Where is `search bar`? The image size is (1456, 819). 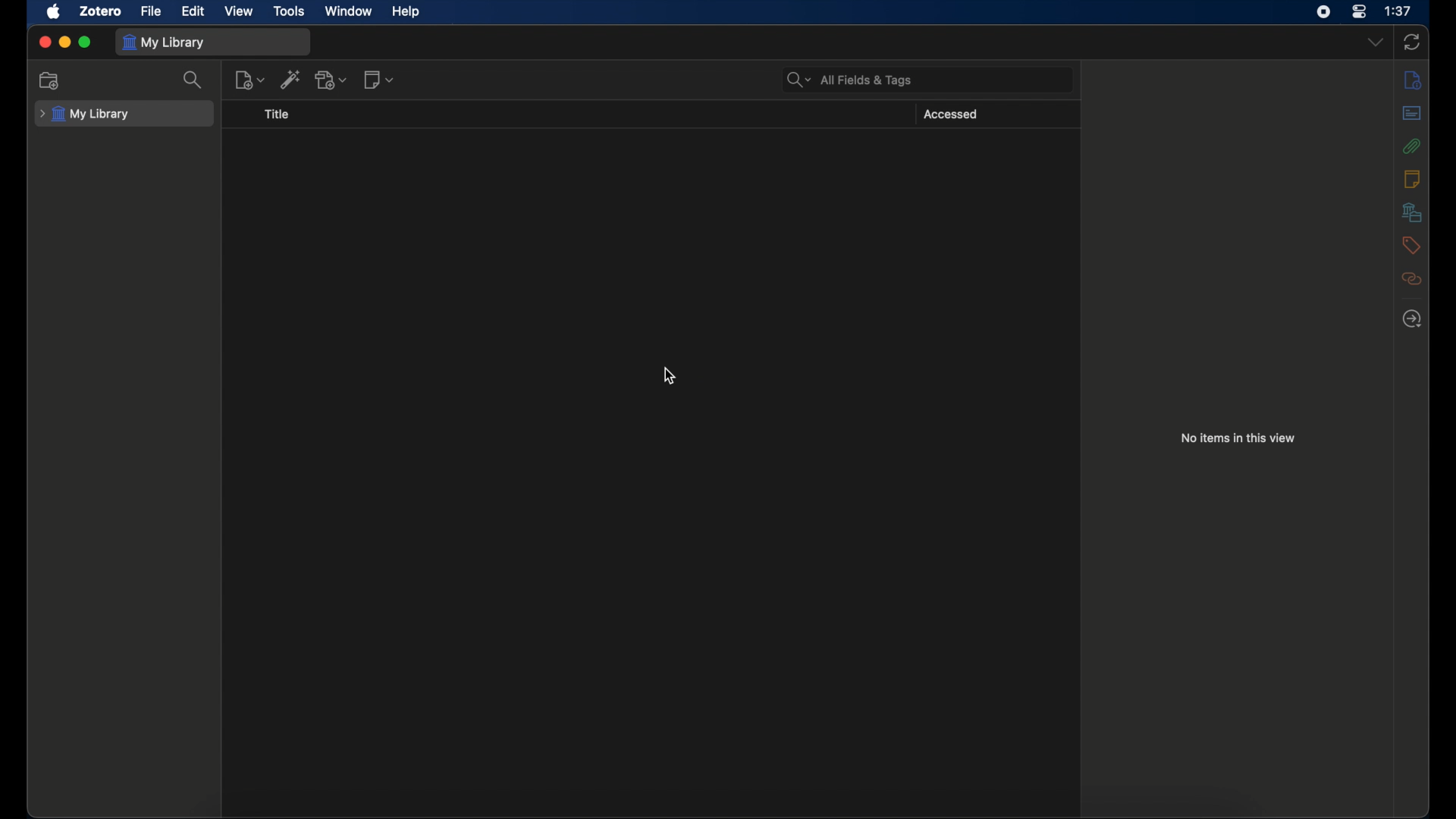 search bar is located at coordinates (848, 80).